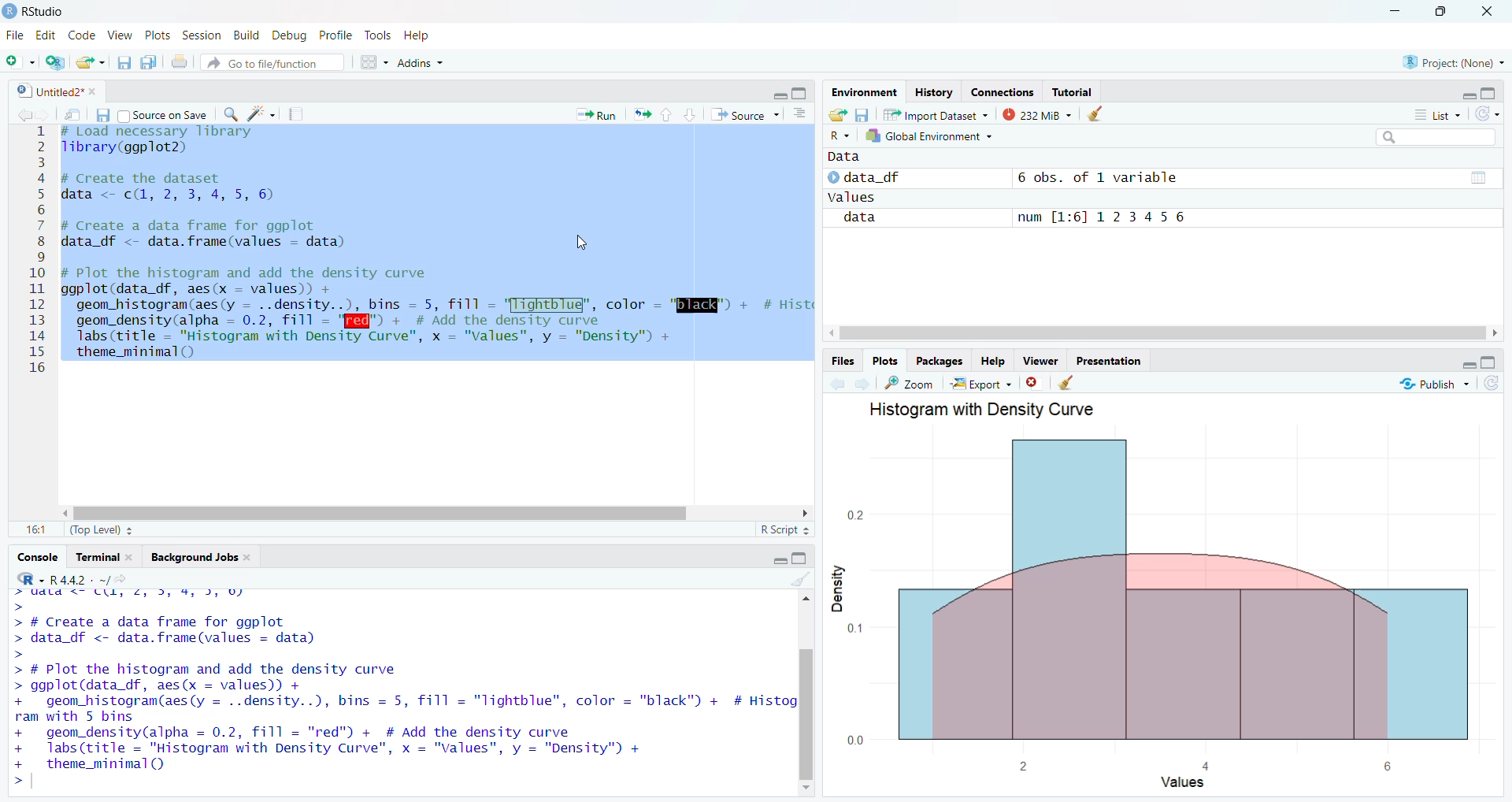  What do you see at coordinates (862, 384) in the screenshot?
I see `next plot` at bounding box center [862, 384].